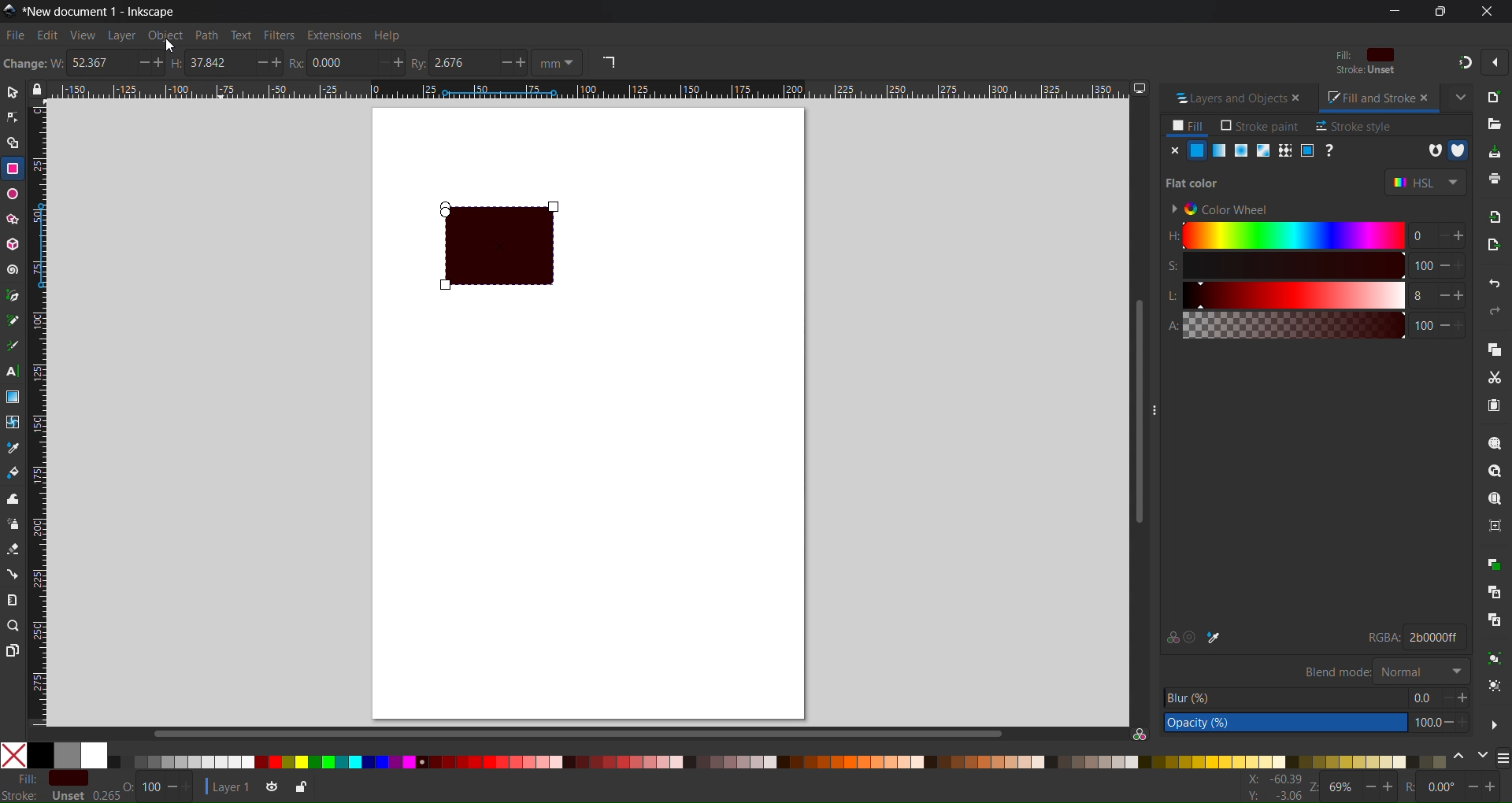  What do you see at coordinates (421, 62) in the screenshot?
I see `Ry:` at bounding box center [421, 62].